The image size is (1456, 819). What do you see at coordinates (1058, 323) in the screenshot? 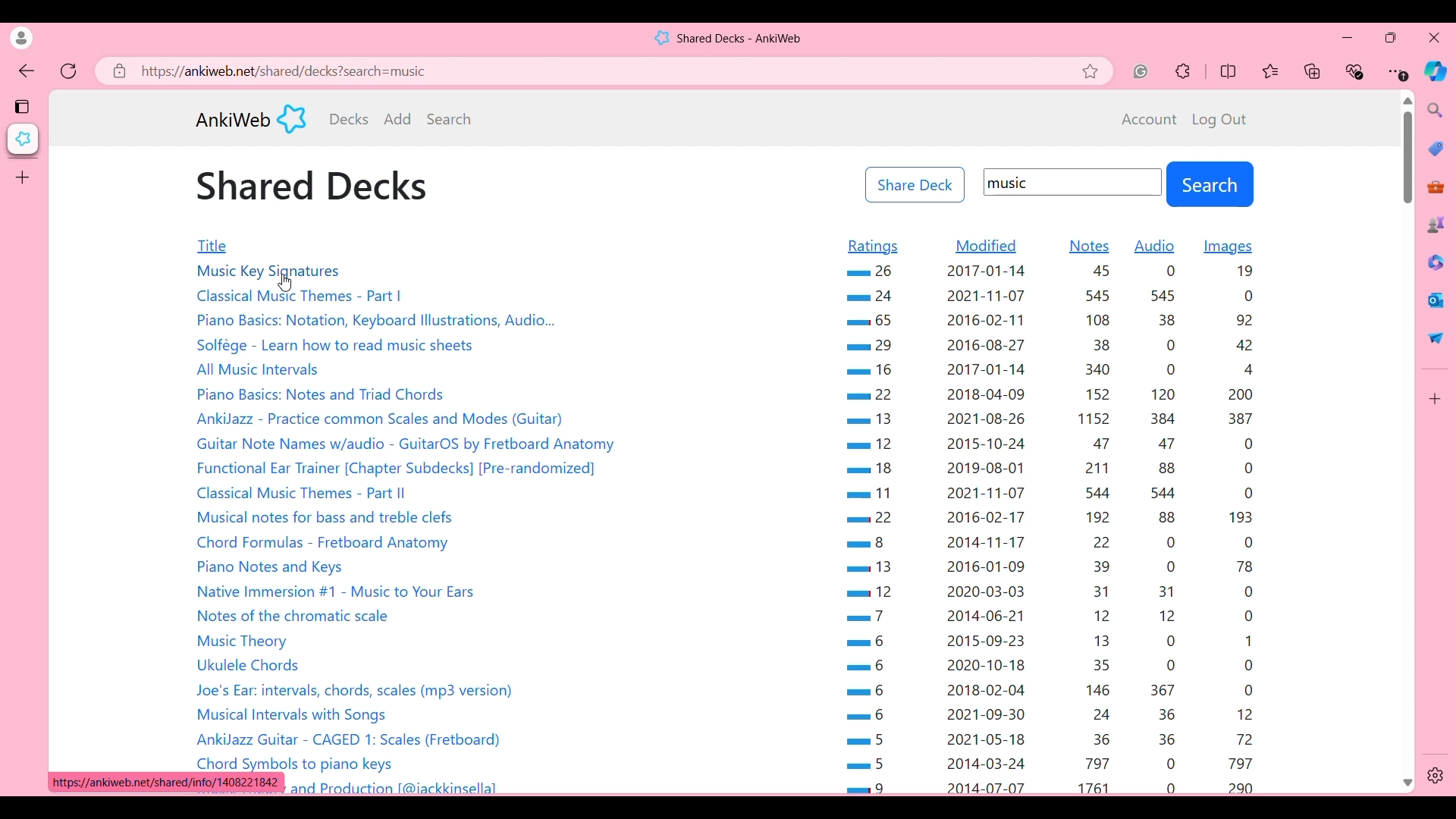
I see `— 65 2016-02-11 108 38 92` at bounding box center [1058, 323].